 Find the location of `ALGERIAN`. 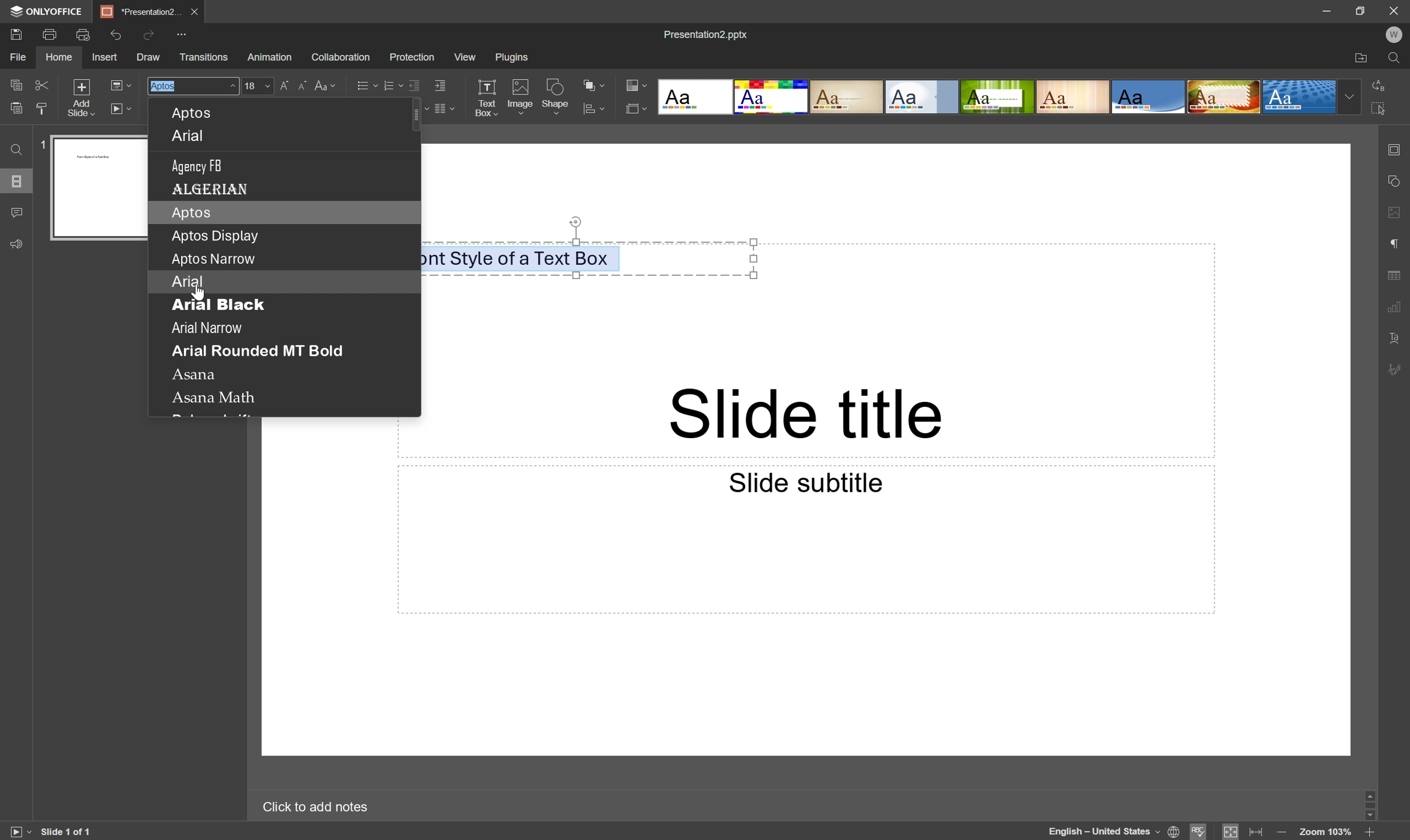

ALGERIAN is located at coordinates (212, 188).